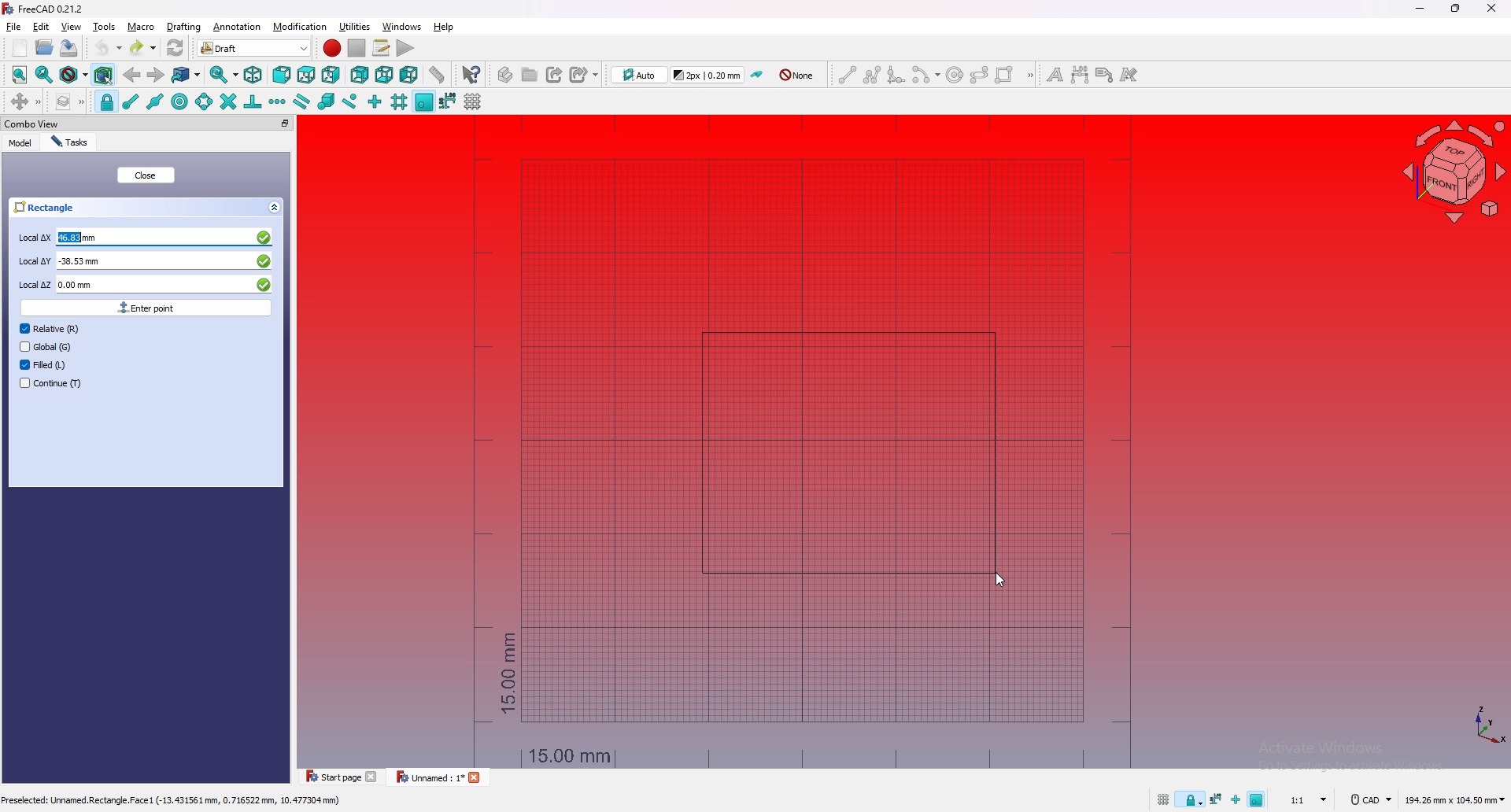  Describe the element at coordinates (1162, 800) in the screenshot. I see `toggle grid` at that location.